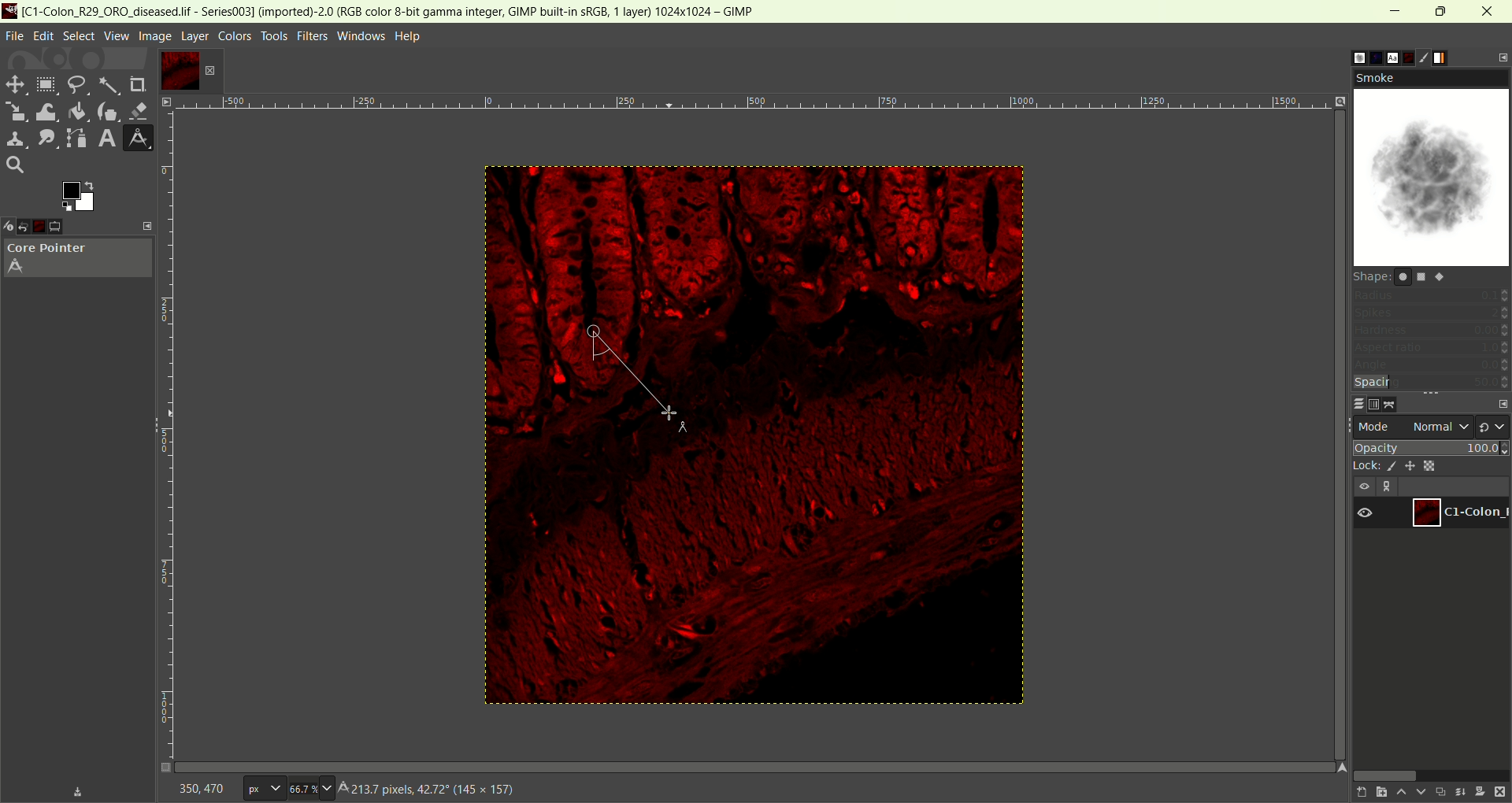 The width and height of the screenshot is (1512, 803). Describe the element at coordinates (49, 227) in the screenshot. I see `images` at that location.